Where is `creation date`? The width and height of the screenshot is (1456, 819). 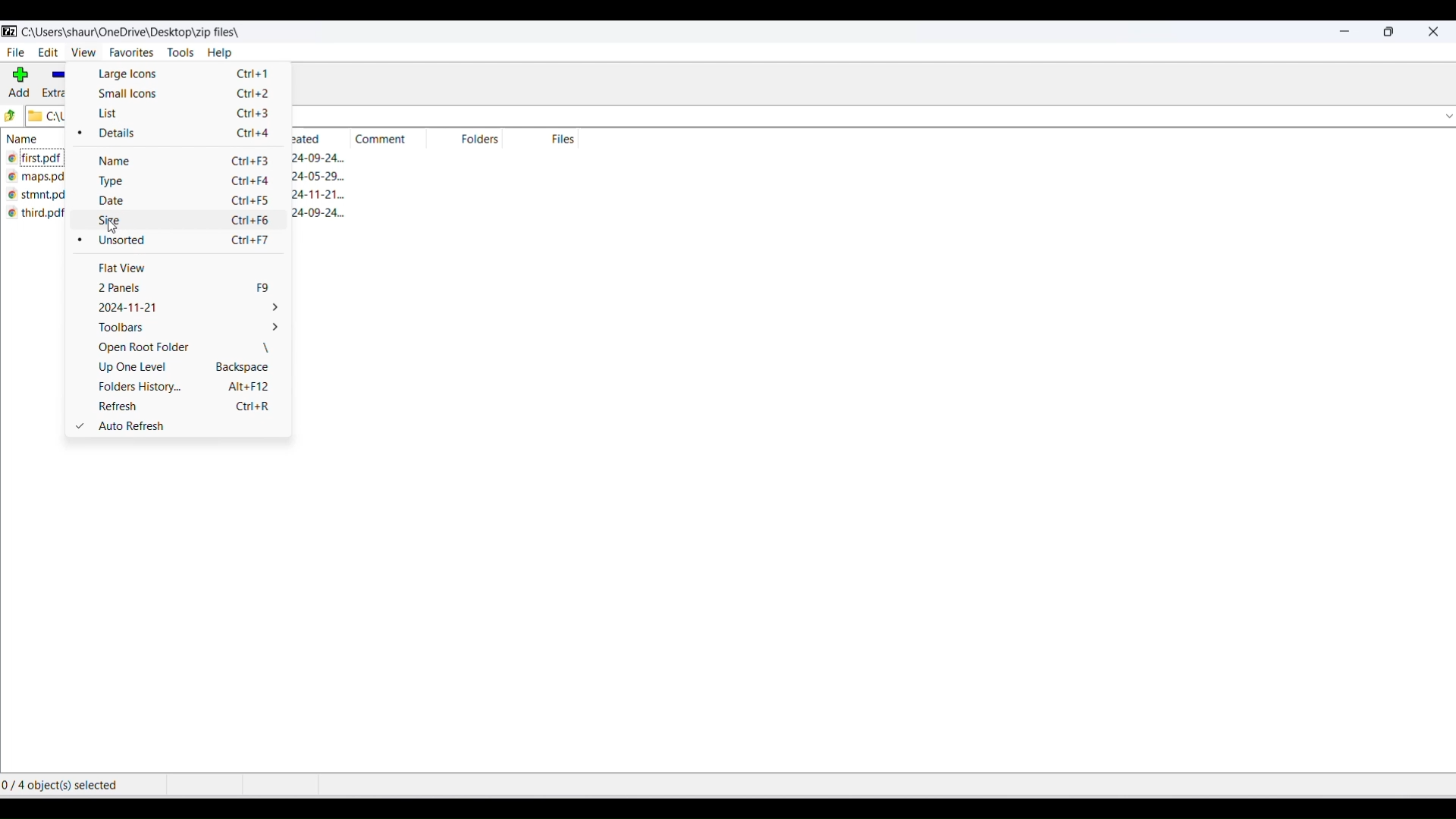 creation date is located at coordinates (325, 159).